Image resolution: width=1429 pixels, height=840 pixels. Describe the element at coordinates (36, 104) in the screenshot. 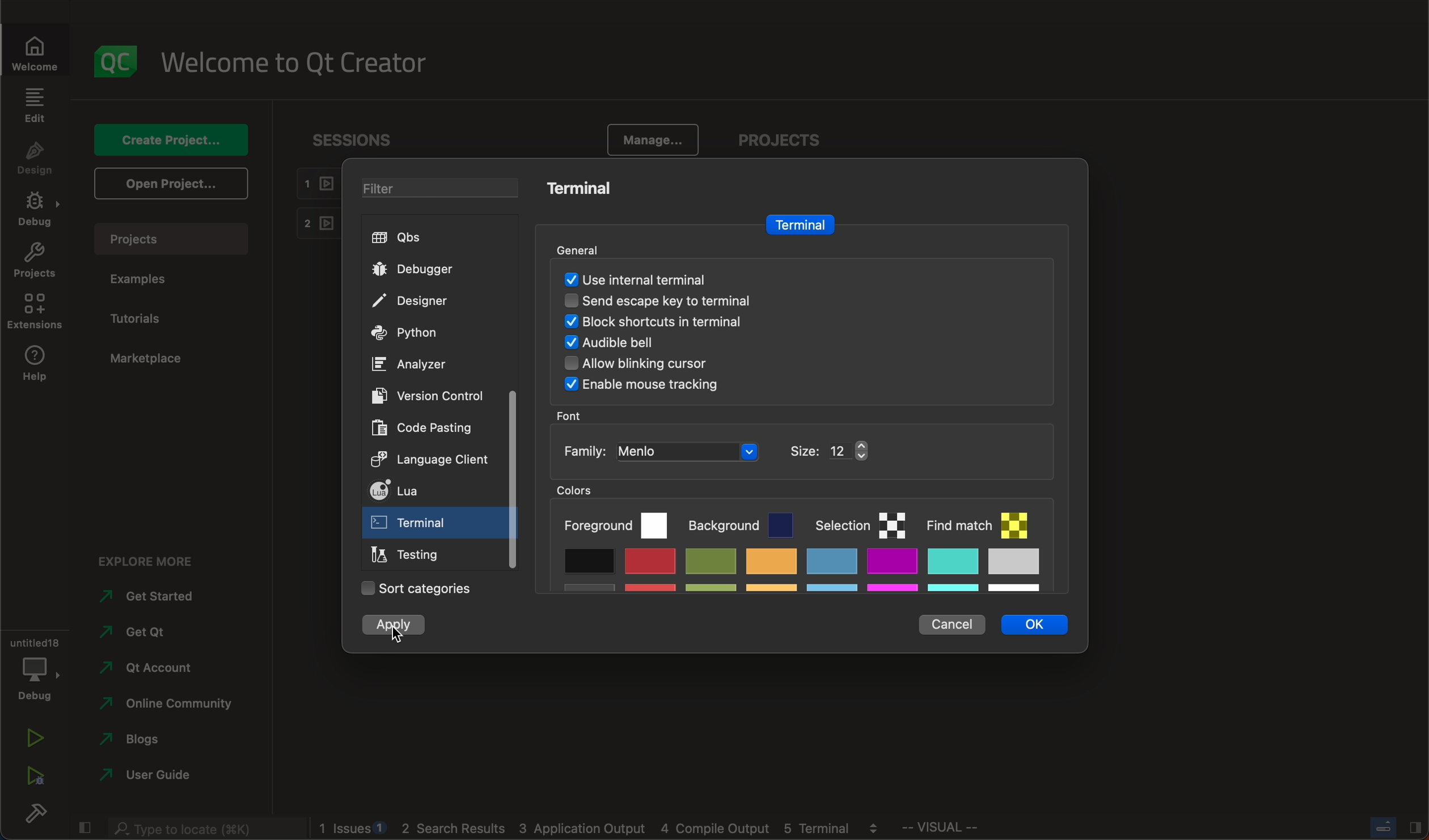

I see `edit` at that location.